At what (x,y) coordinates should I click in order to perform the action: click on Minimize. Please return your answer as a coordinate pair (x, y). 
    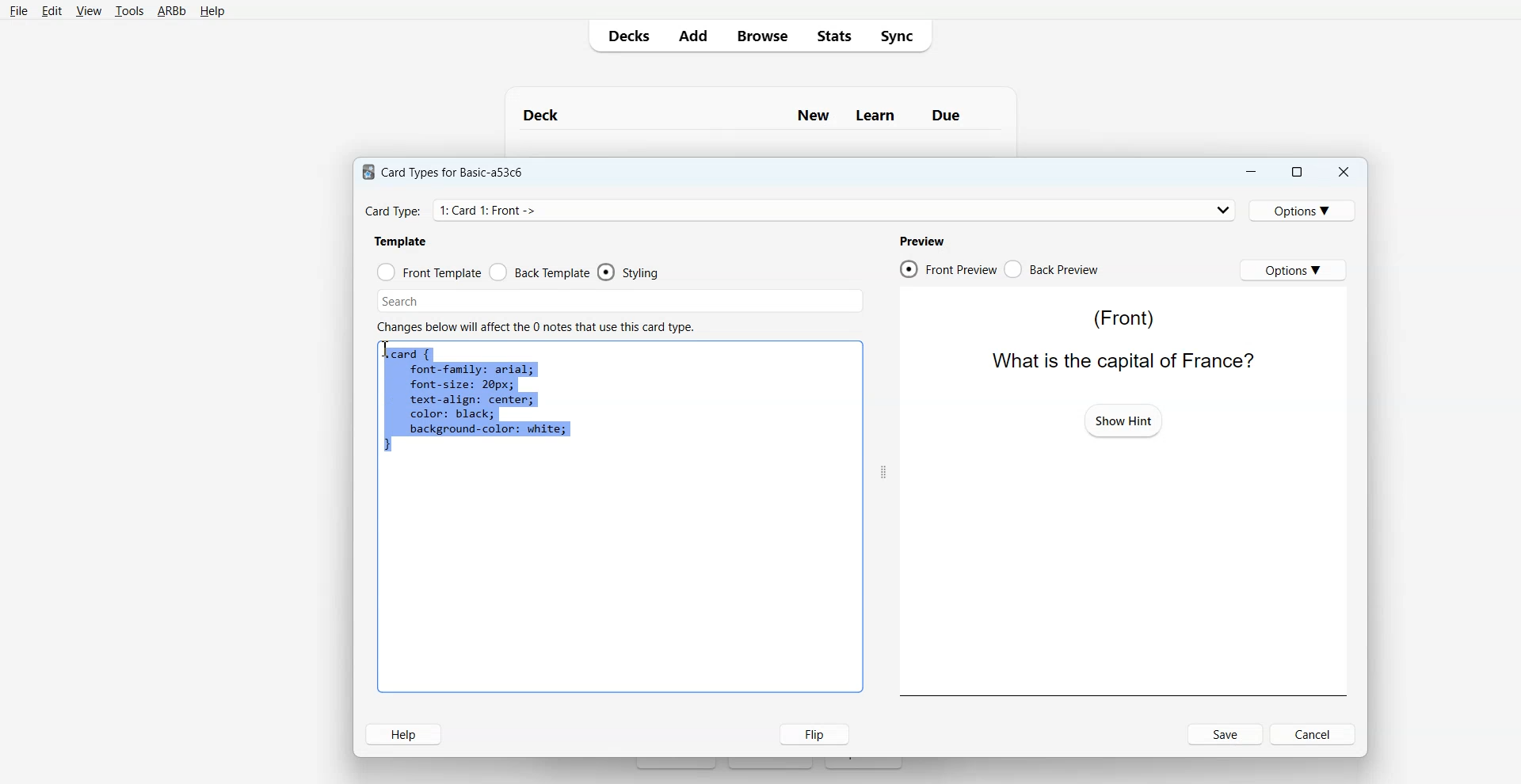
    Looking at the image, I should click on (1249, 172).